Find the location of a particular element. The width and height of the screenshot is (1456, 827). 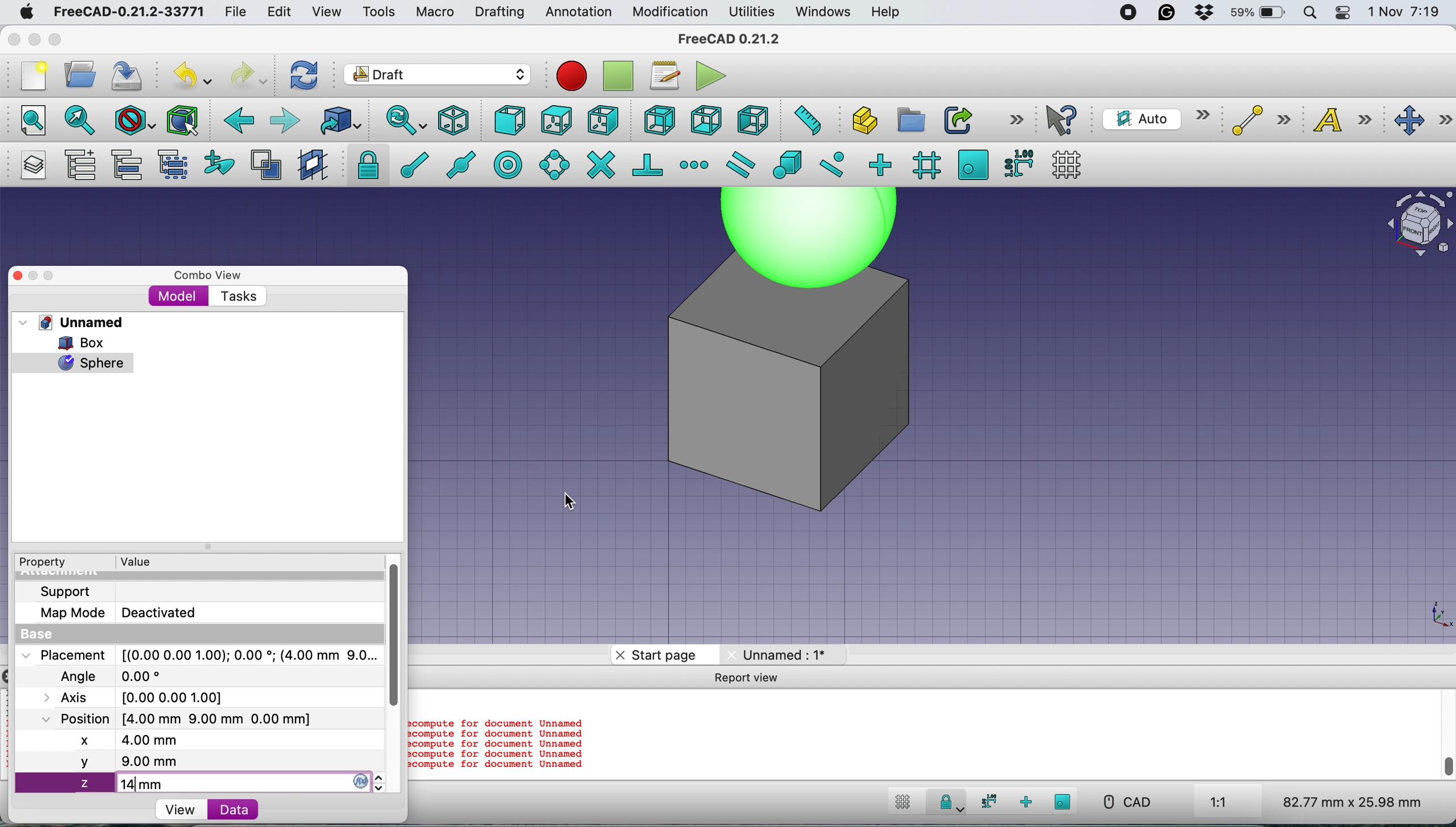

minimise is located at coordinates (33, 39).